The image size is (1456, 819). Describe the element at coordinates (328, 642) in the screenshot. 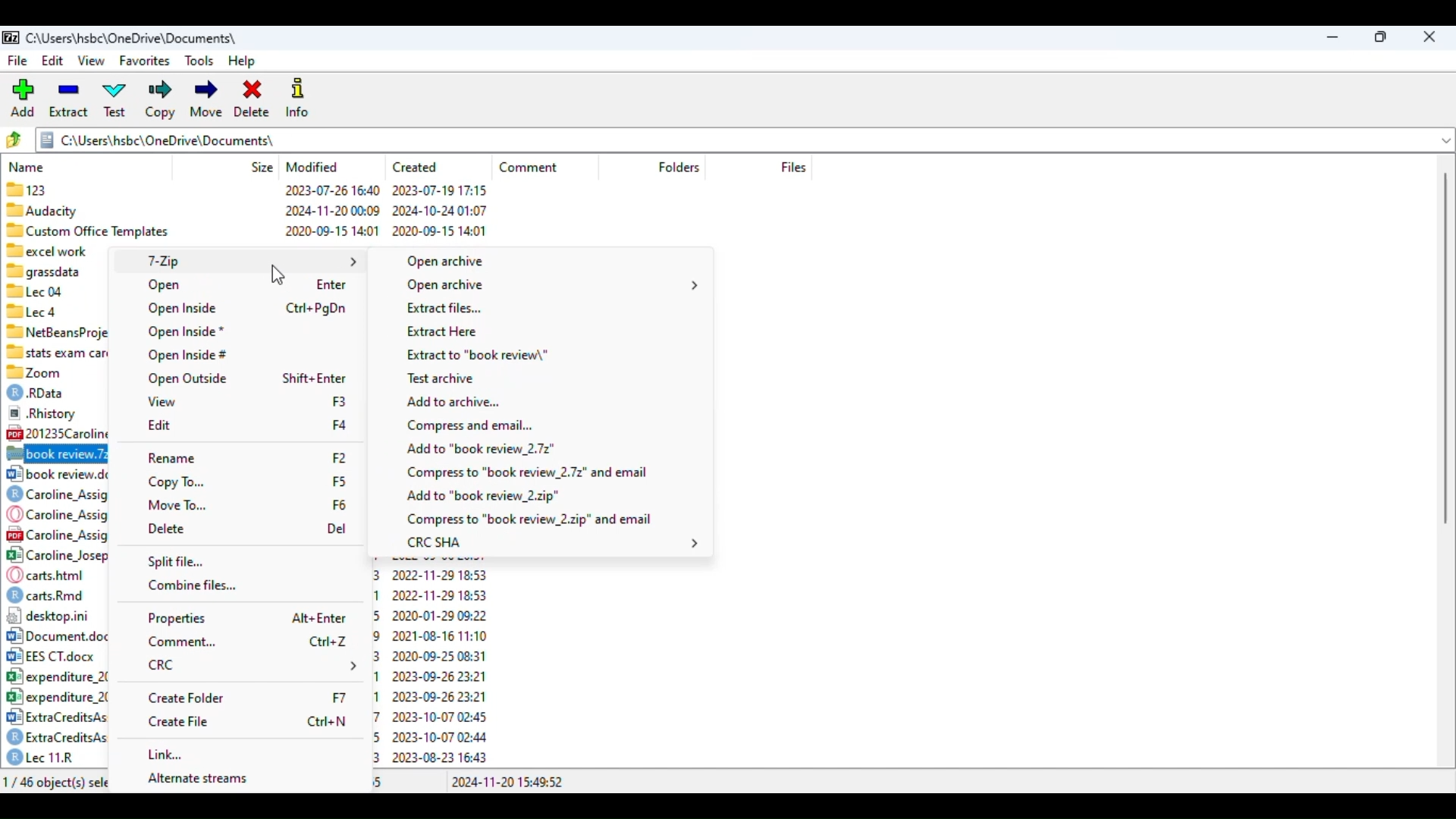

I see `shortcut for comment` at that location.